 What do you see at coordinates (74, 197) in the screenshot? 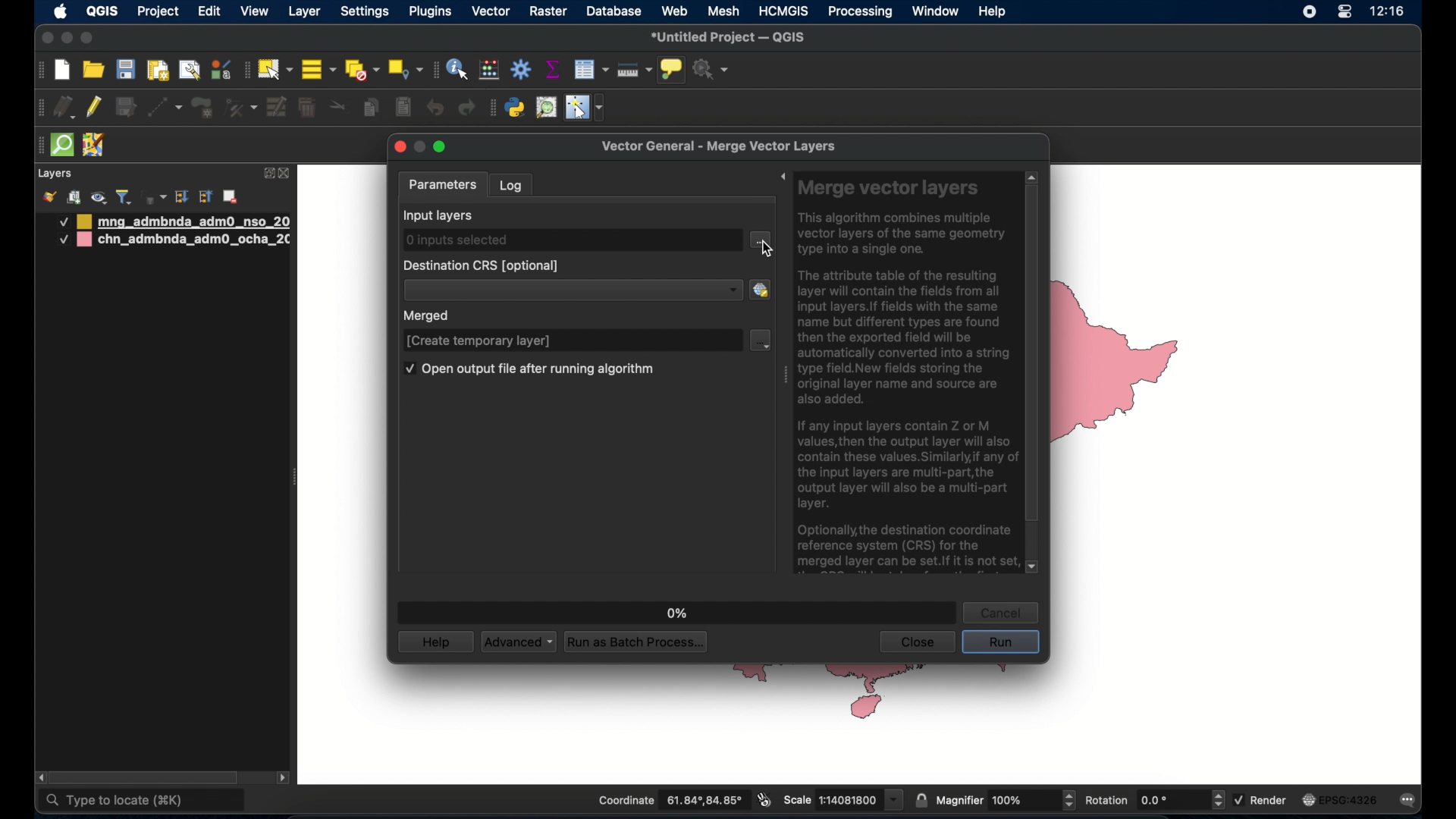
I see `add group` at bounding box center [74, 197].